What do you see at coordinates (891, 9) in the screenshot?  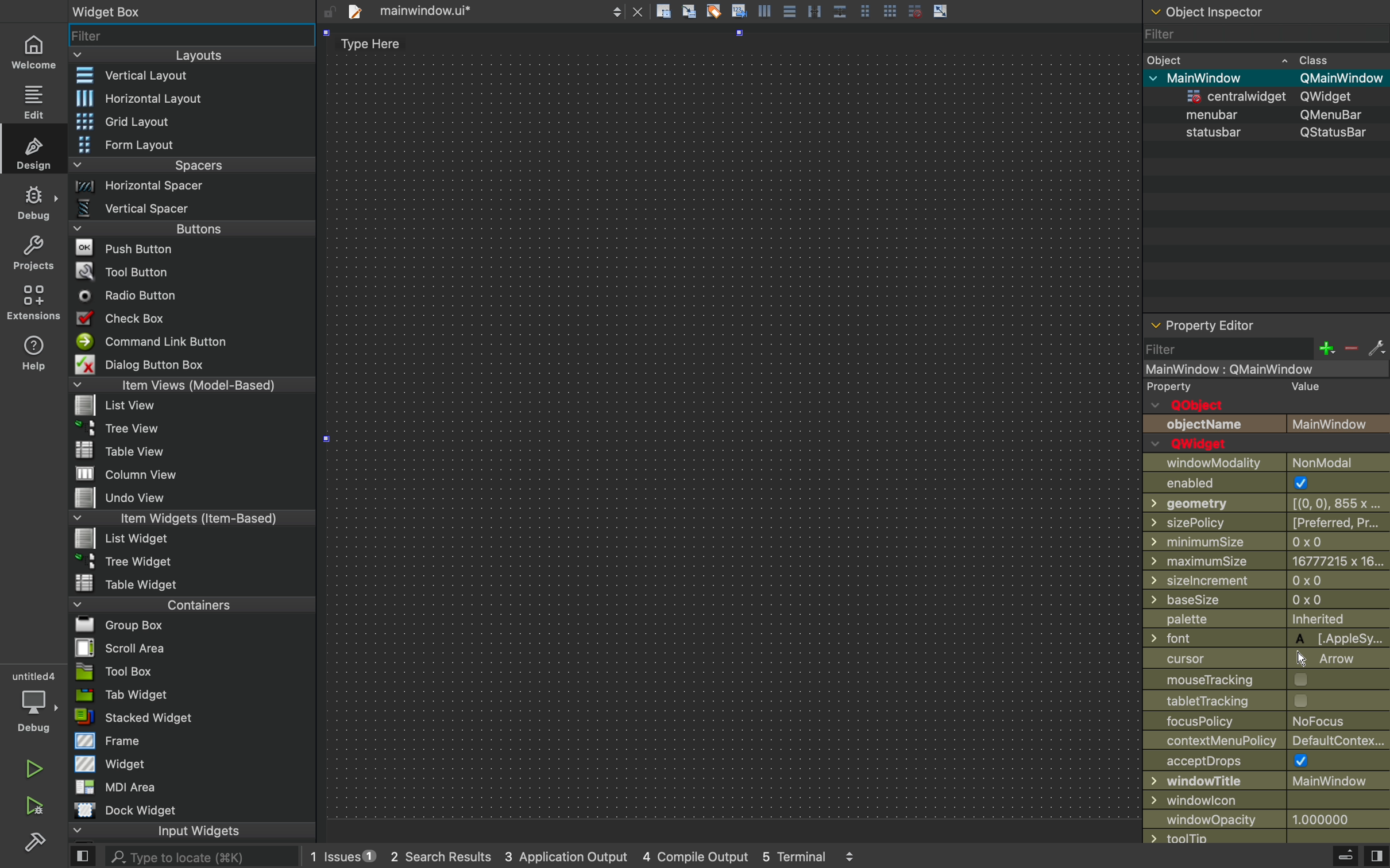 I see `grid` at bounding box center [891, 9].